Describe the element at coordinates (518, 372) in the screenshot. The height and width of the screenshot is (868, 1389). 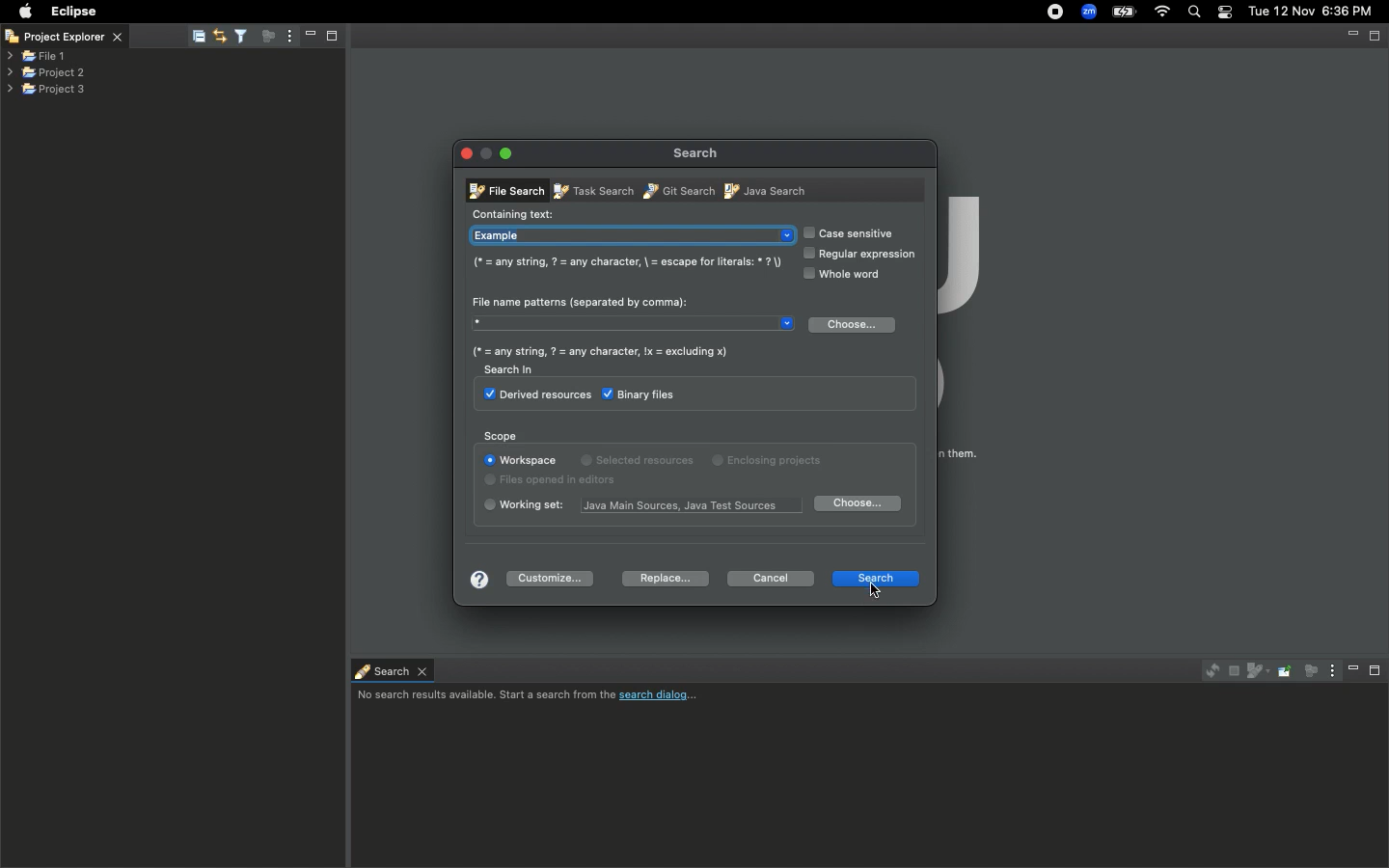
I see `Search in` at that location.